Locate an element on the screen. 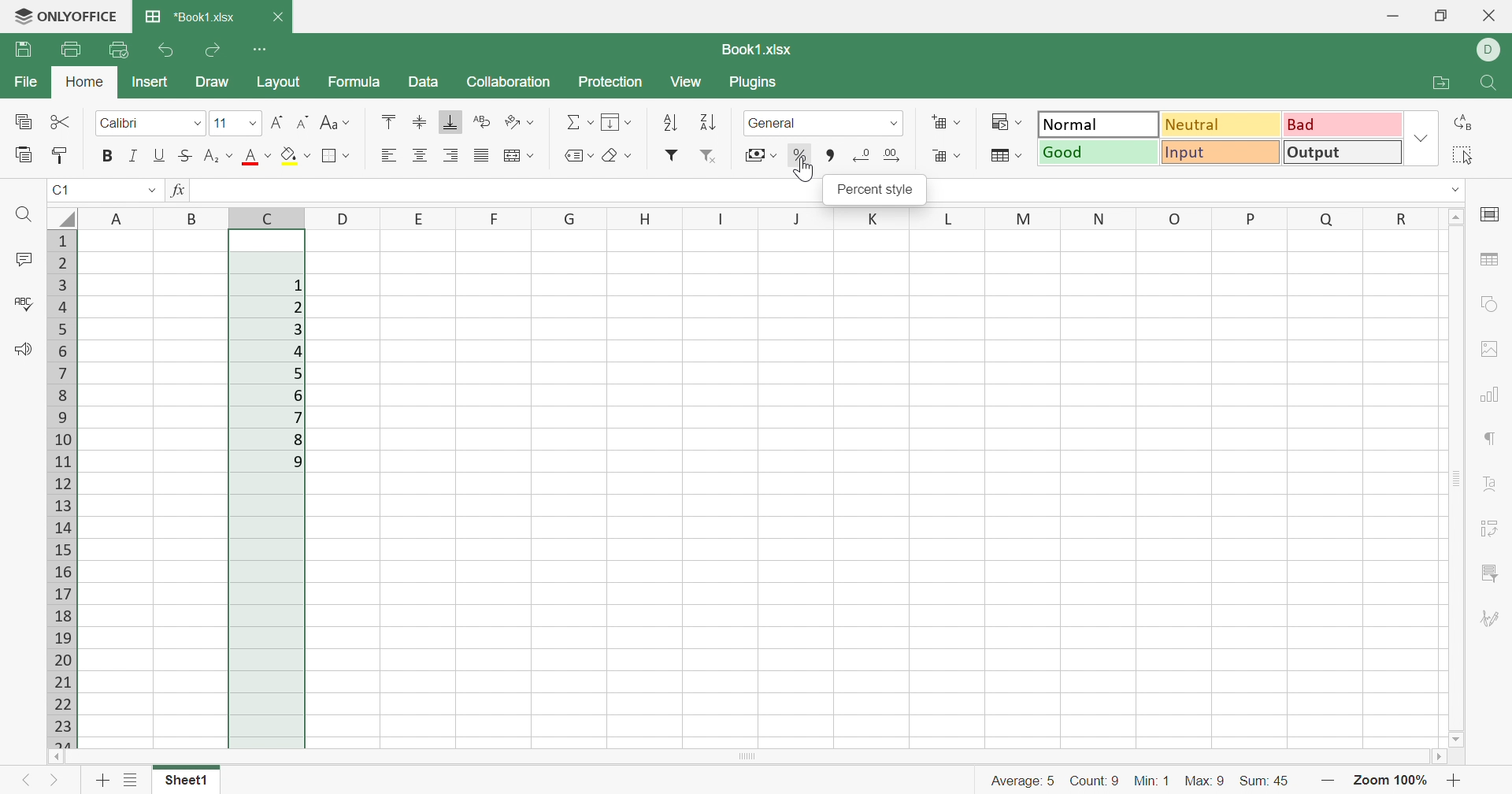  Zoom 100% is located at coordinates (1392, 781).